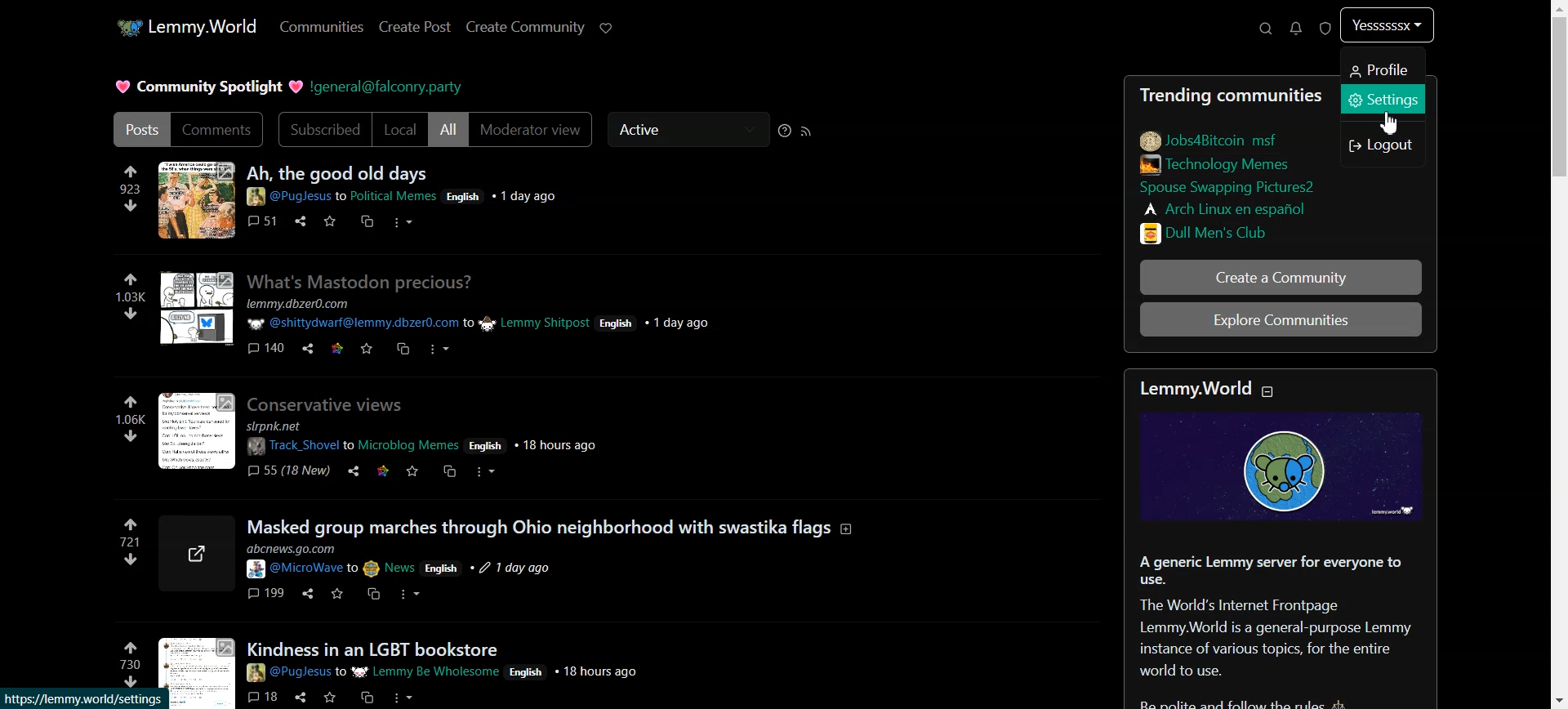 This screenshot has width=1568, height=709. Describe the element at coordinates (286, 469) in the screenshot. I see `comments` at that location.